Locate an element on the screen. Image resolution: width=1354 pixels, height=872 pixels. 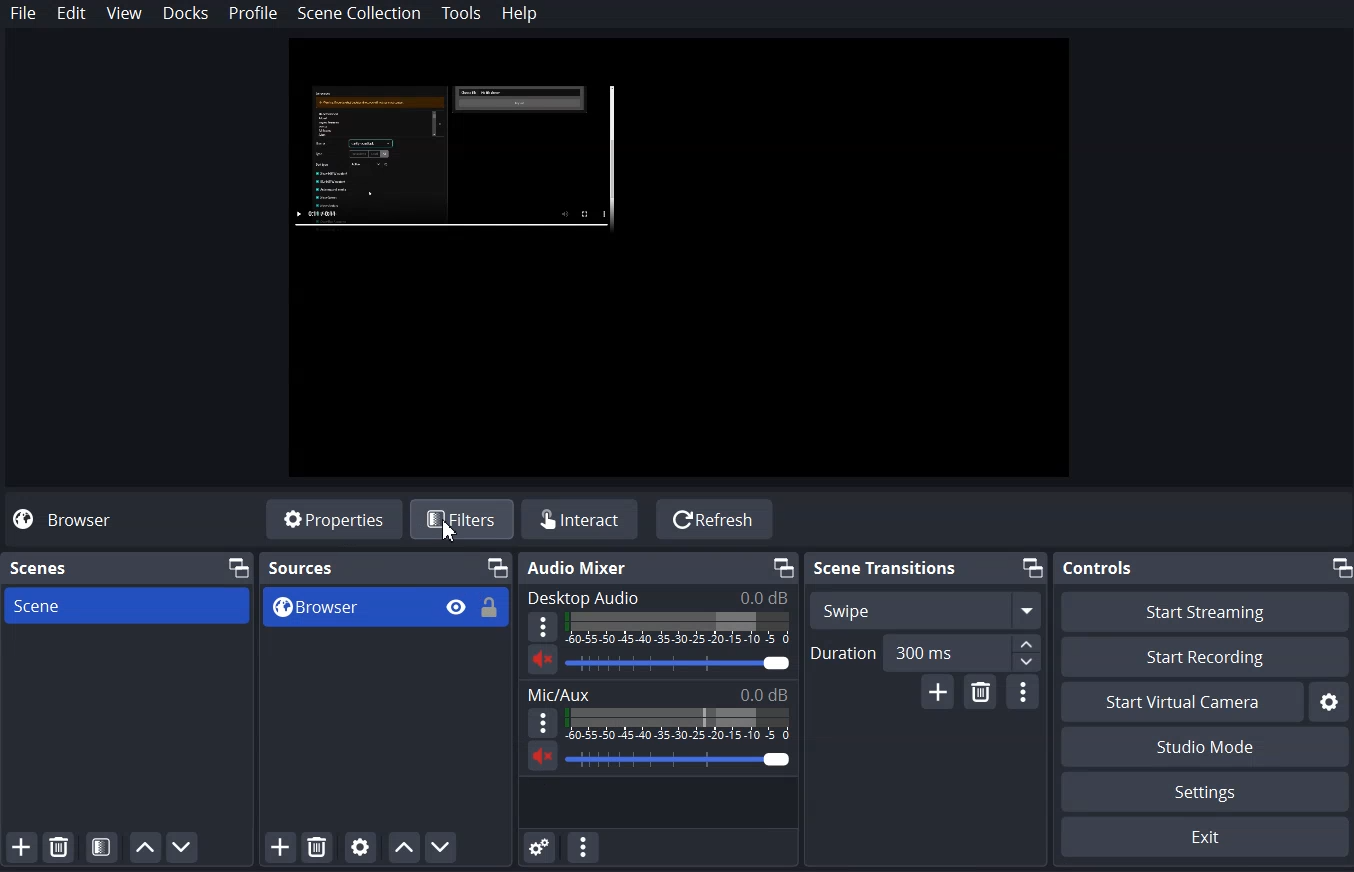
Unlock is located at coordinates (491, 607).